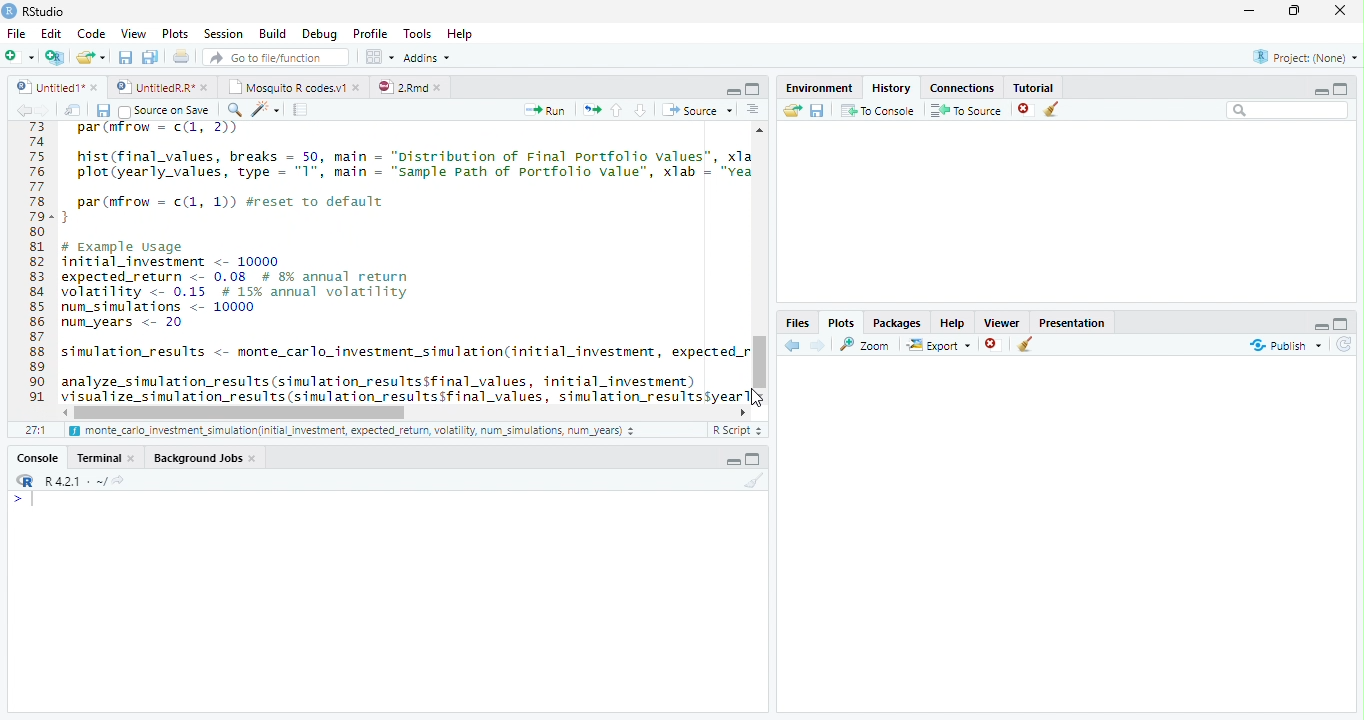 Image resolution: width=1364 pixels, height=720 pixels. Describe the element at coordinates (793, 345) in the screenshot. I see `Go to previous plot` at that location.